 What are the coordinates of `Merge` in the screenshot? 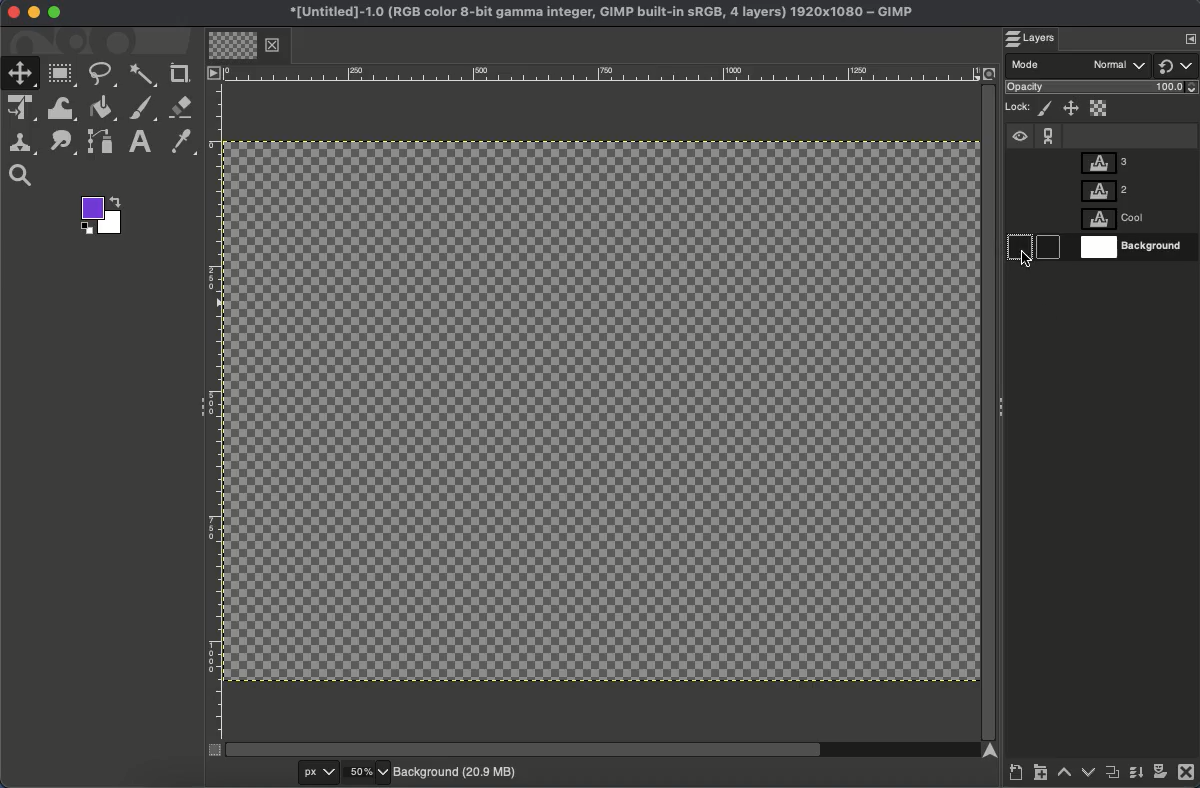 It's located at (1135, 777).